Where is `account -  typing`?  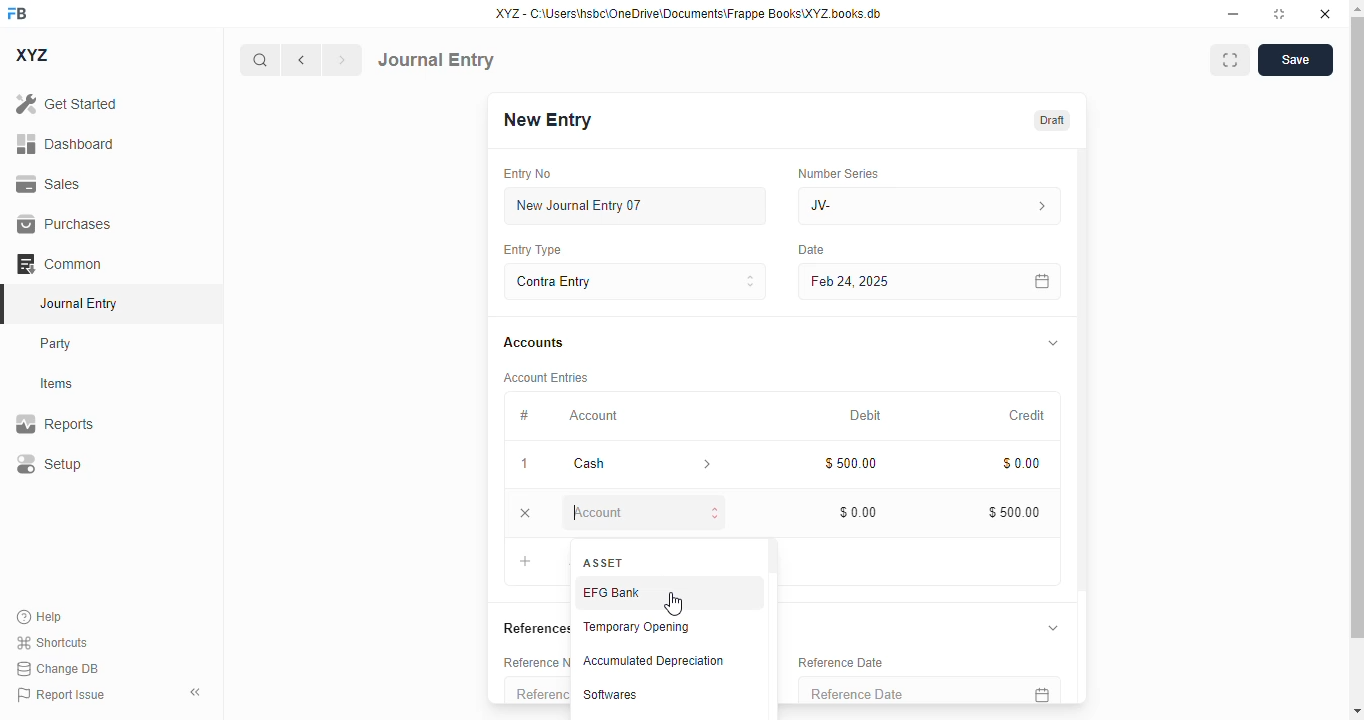
account -  typing is located at coordinates (641, 512).